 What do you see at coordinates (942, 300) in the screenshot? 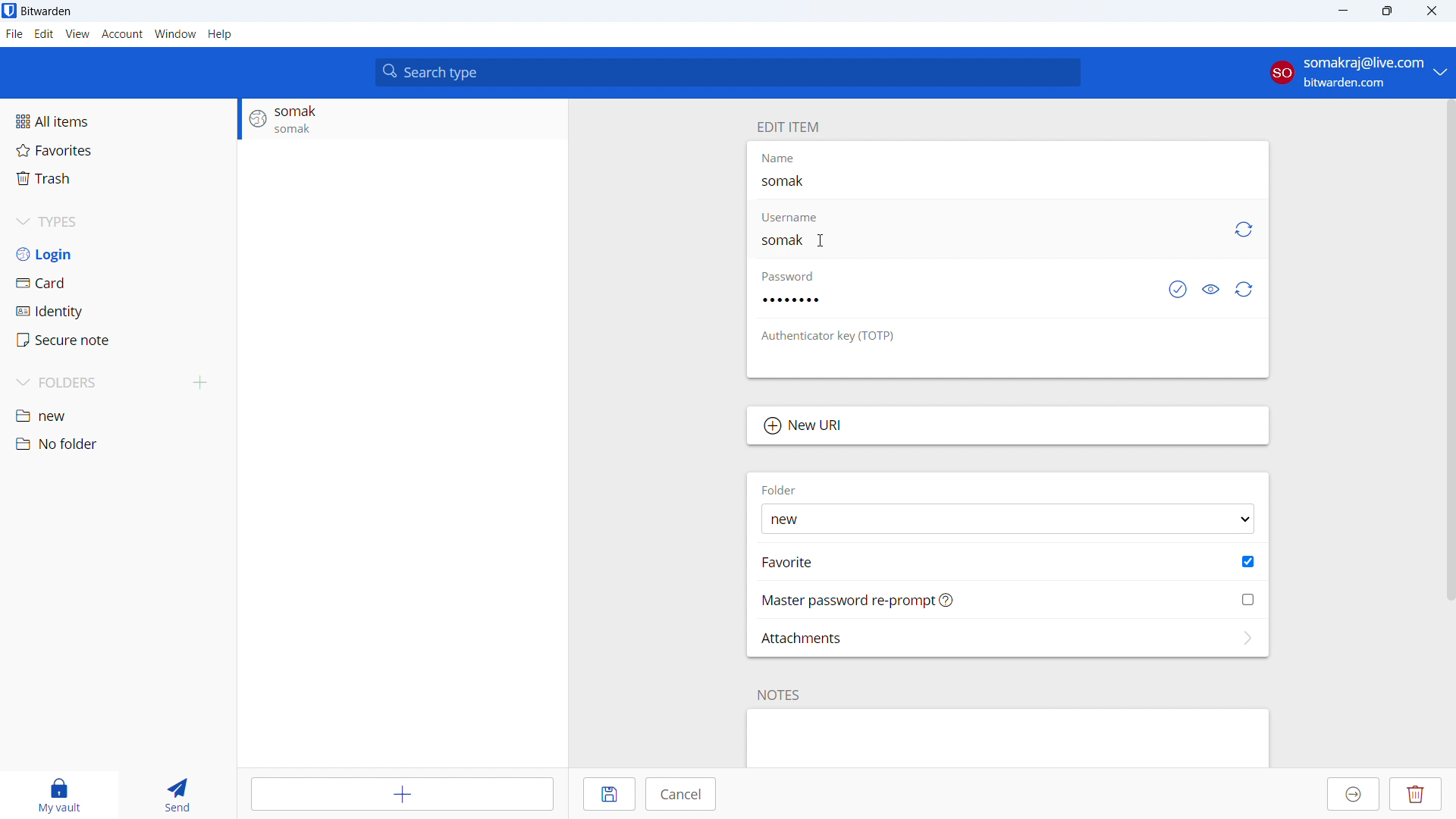
I see `edit password` at bounding box center [942, 300].